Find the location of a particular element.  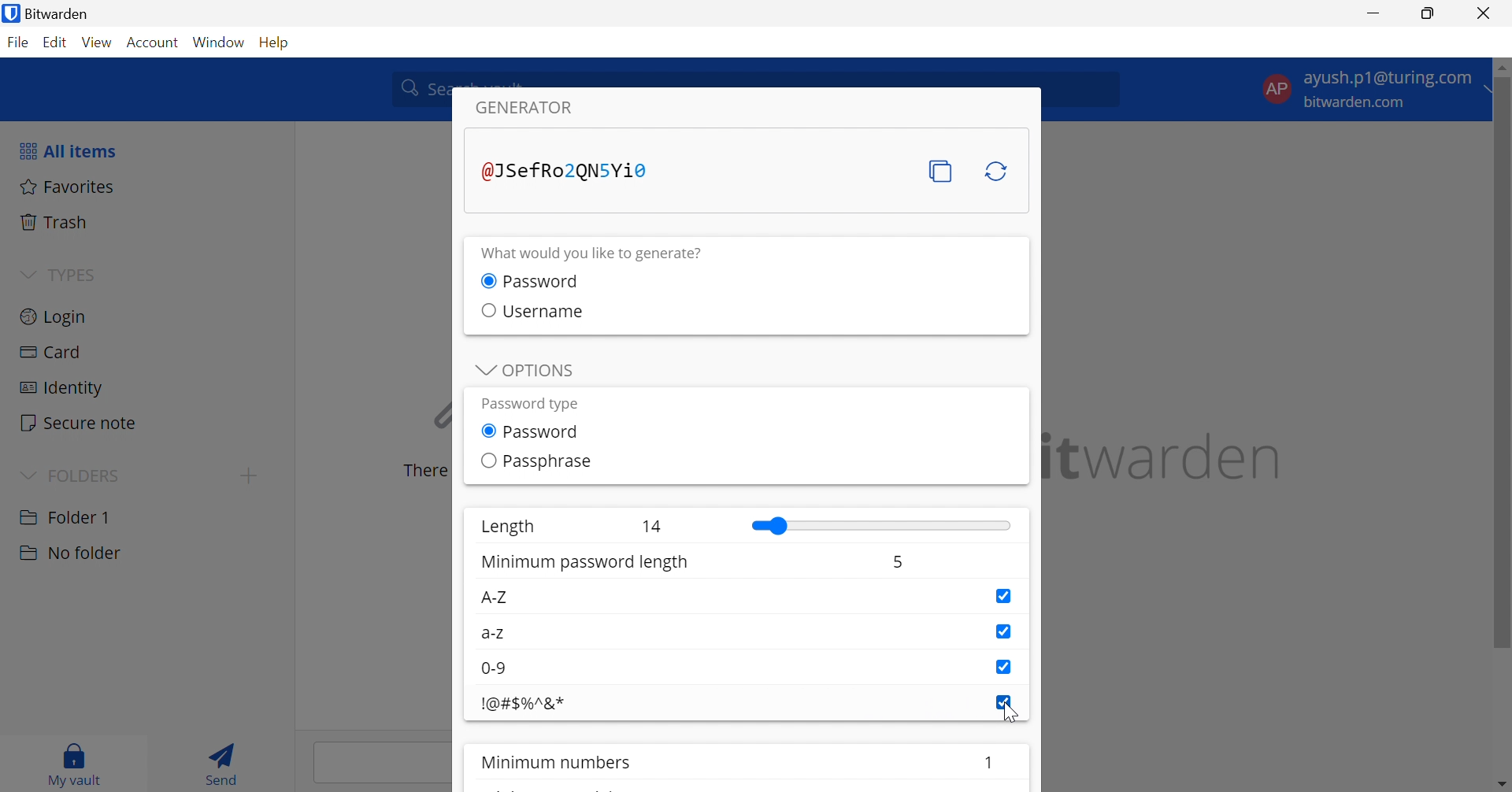

Card is located at coordinates (50, 353).